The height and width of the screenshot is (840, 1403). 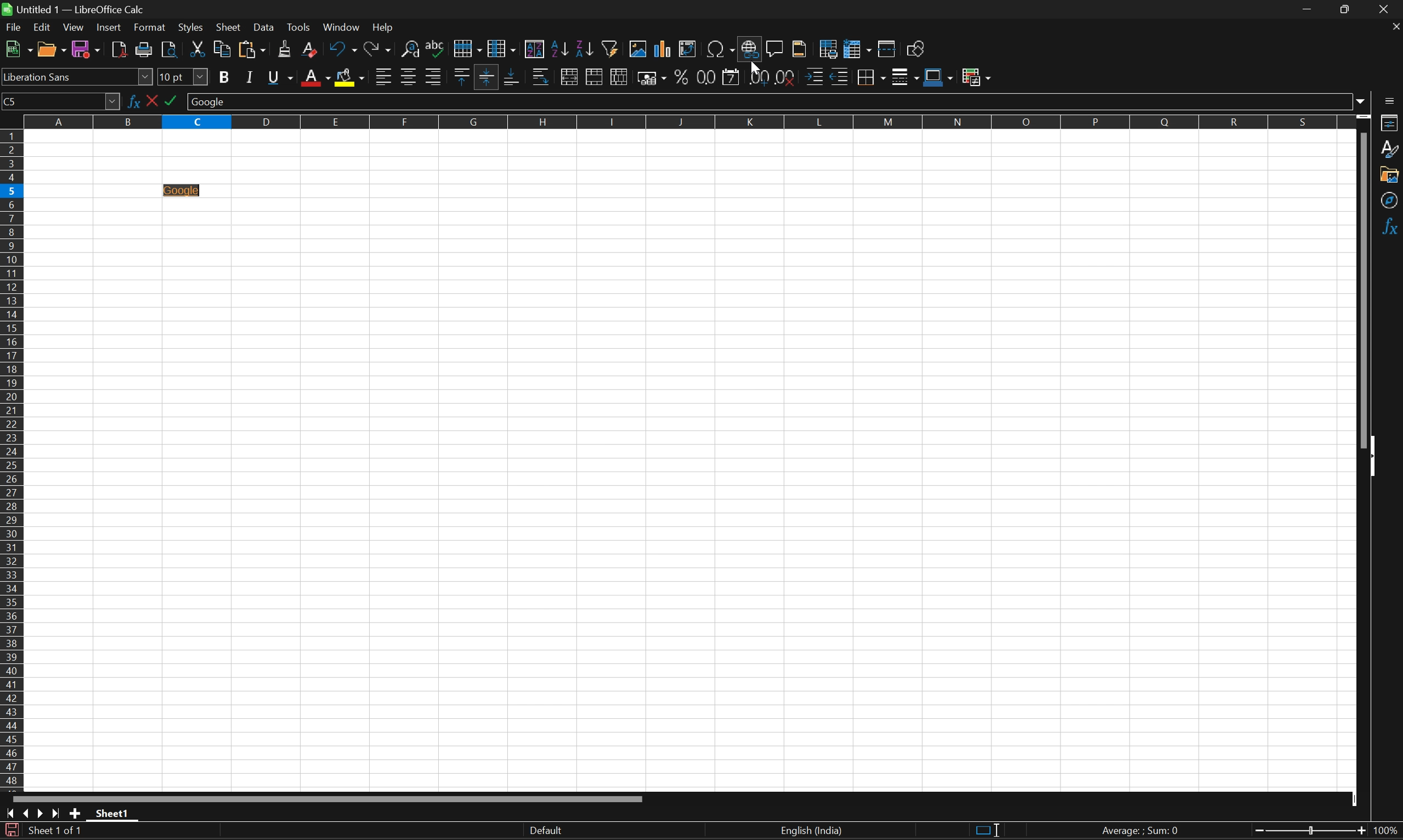 What do you see at coordinates (586, 49) in the screenshot?
I see `Sort descending` at bounding box center [586, 49].